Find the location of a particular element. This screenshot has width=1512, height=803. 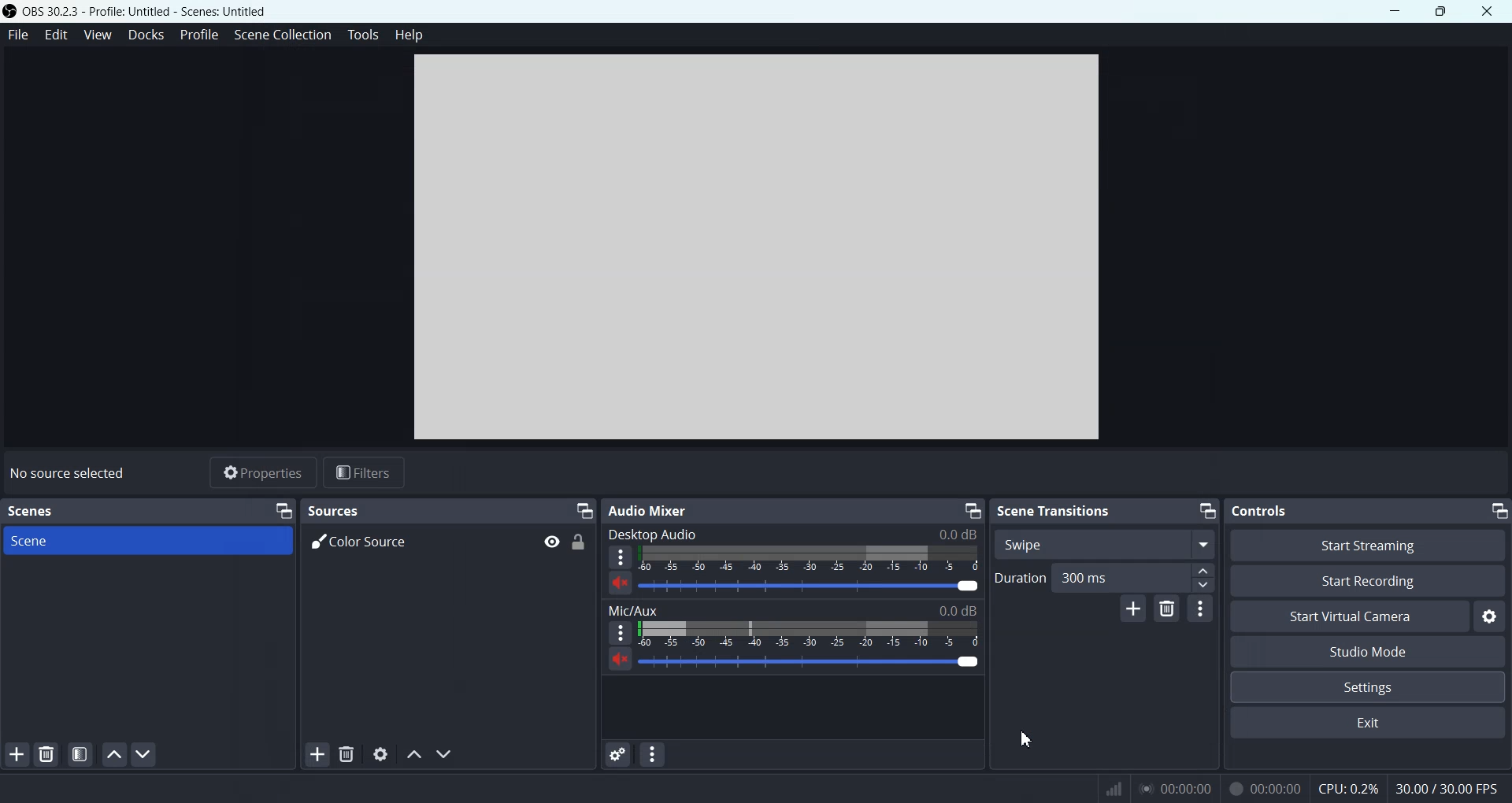

Open scene filter is located at coordinates (80, 754).